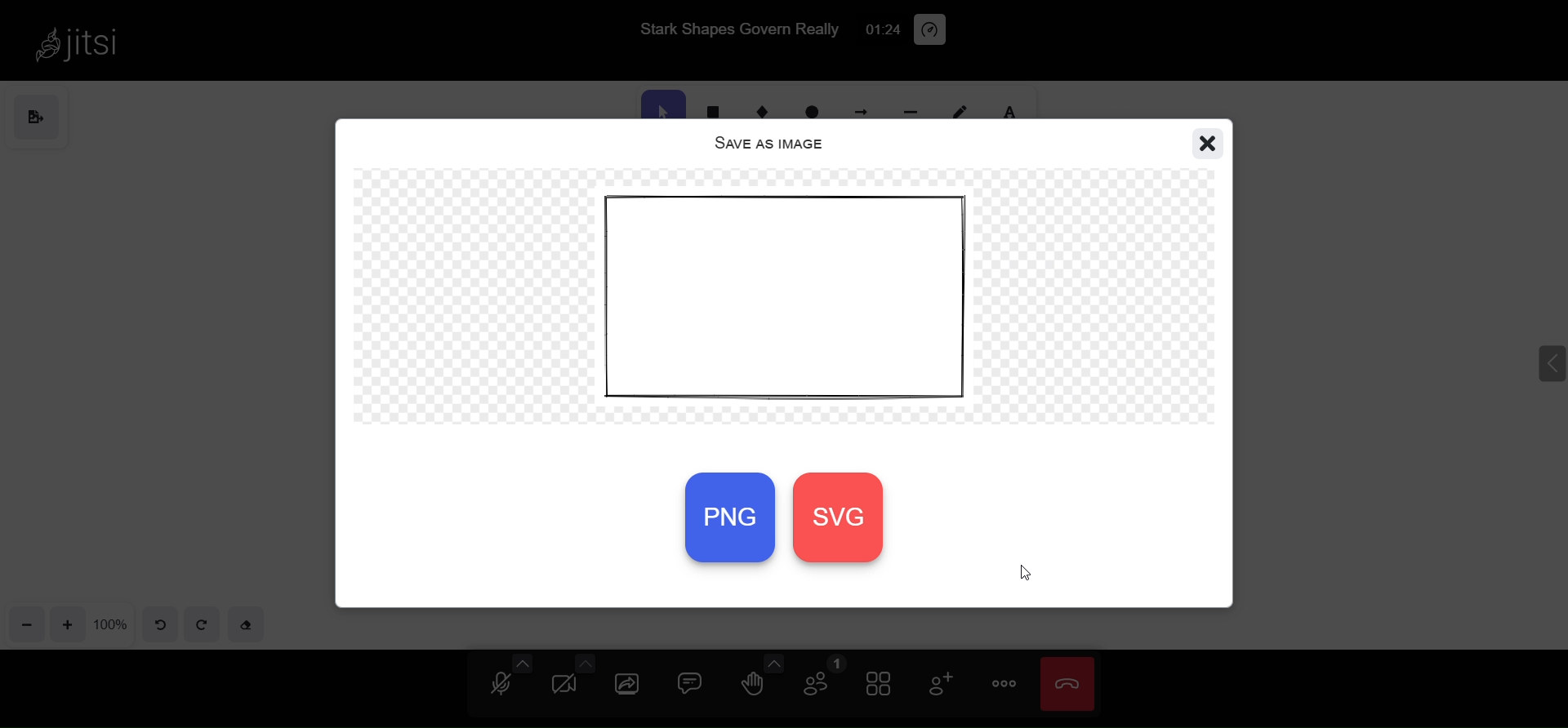  Describe the element at coordinates (248, 625) in the screenshot. I see `eraser` at that location.